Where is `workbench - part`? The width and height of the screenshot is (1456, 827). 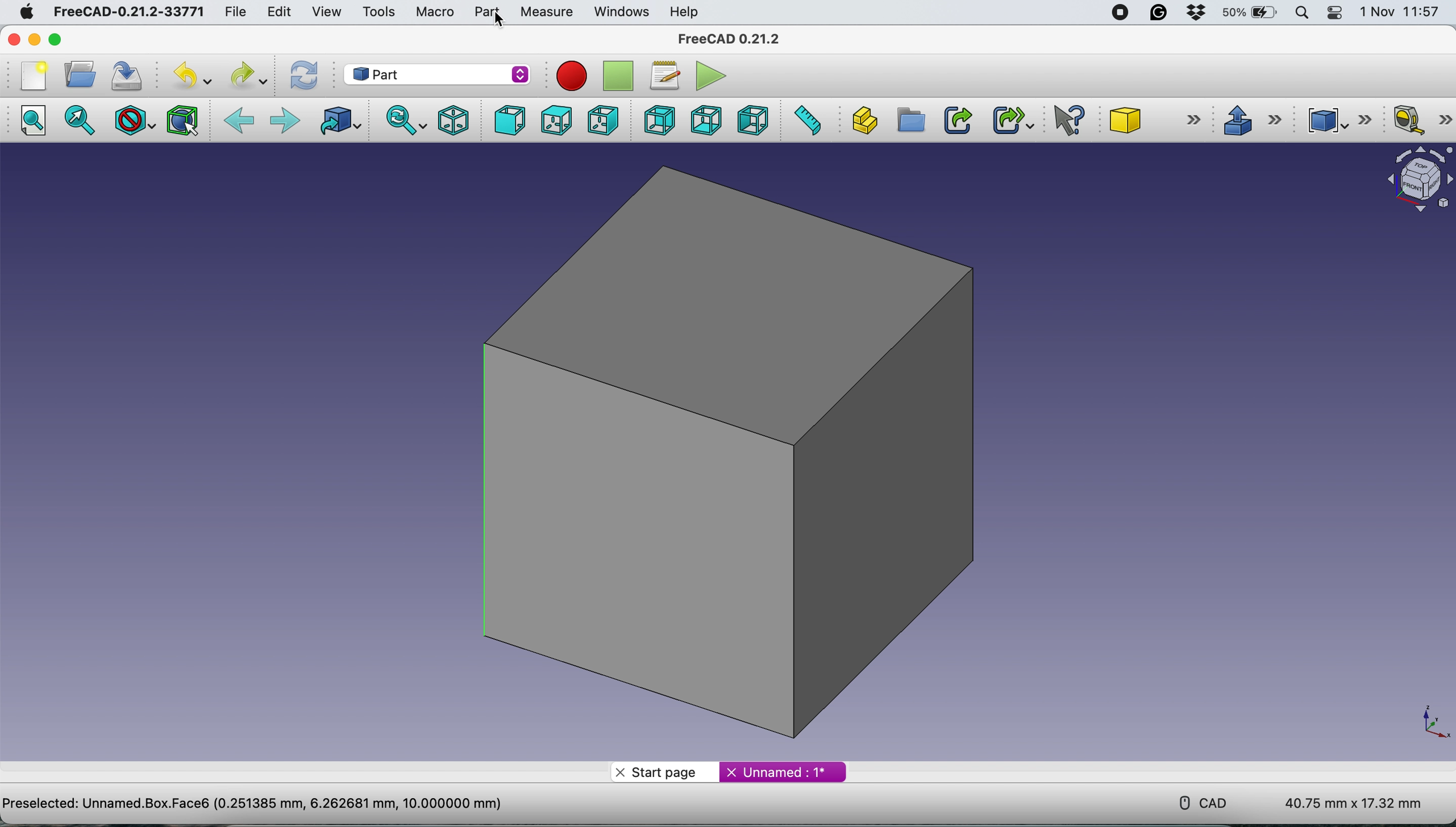
workbench - part is located at coordinates (436, 74).